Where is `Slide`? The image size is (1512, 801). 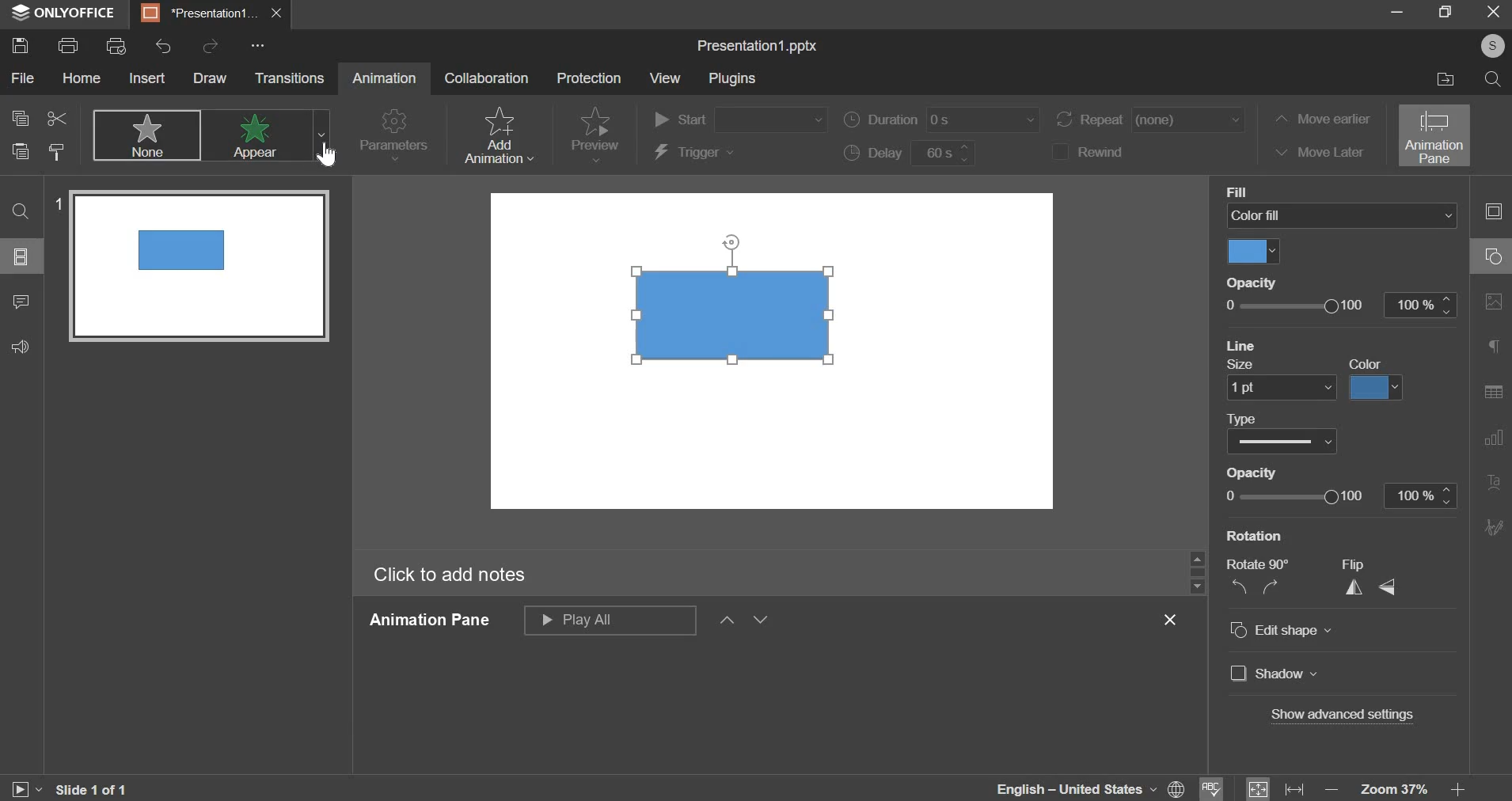
Slide is located at coordinates (193, 264).